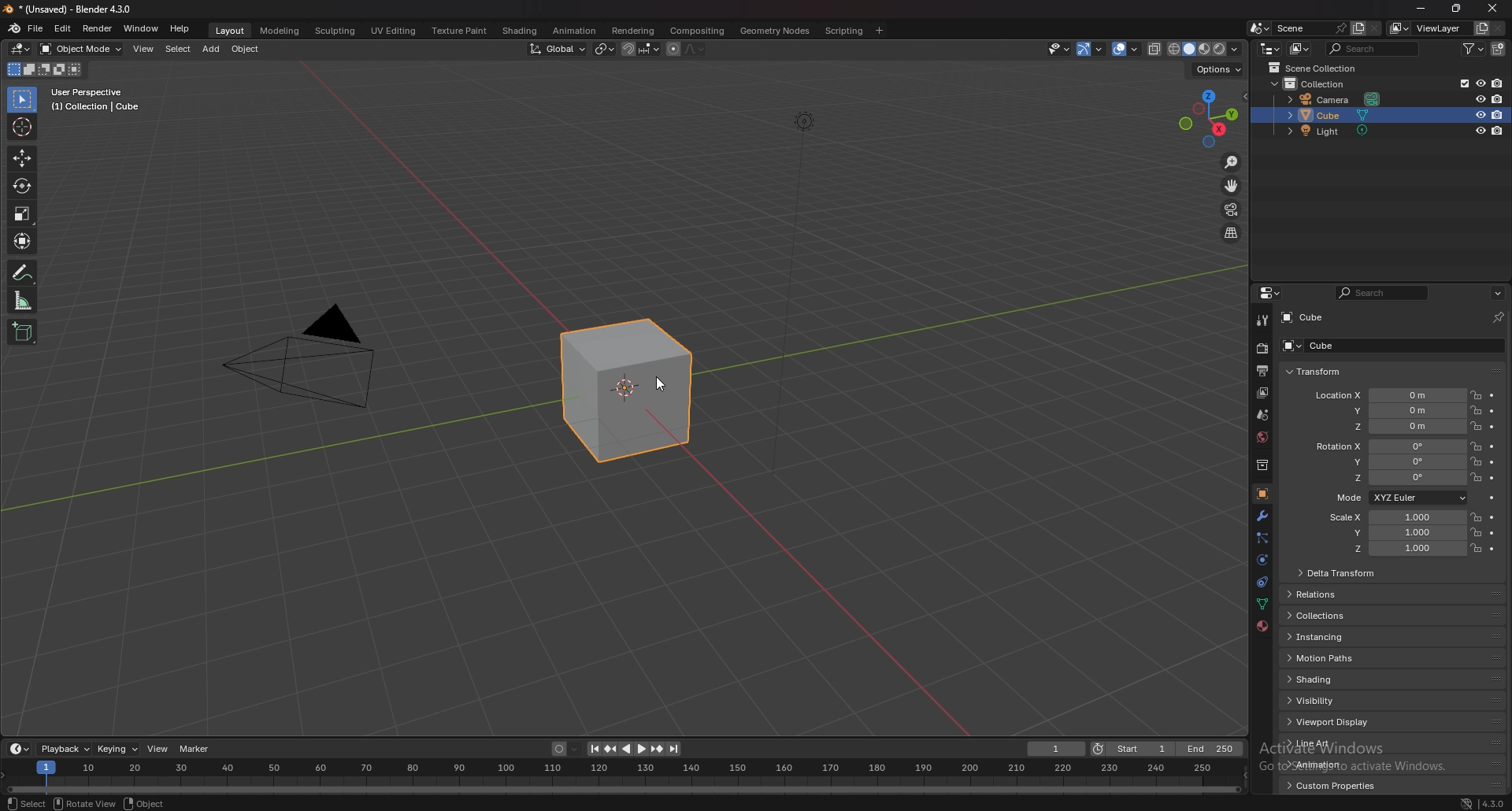 The image size is (1512, 811). I want to click on lock location, so click(1476, 410).